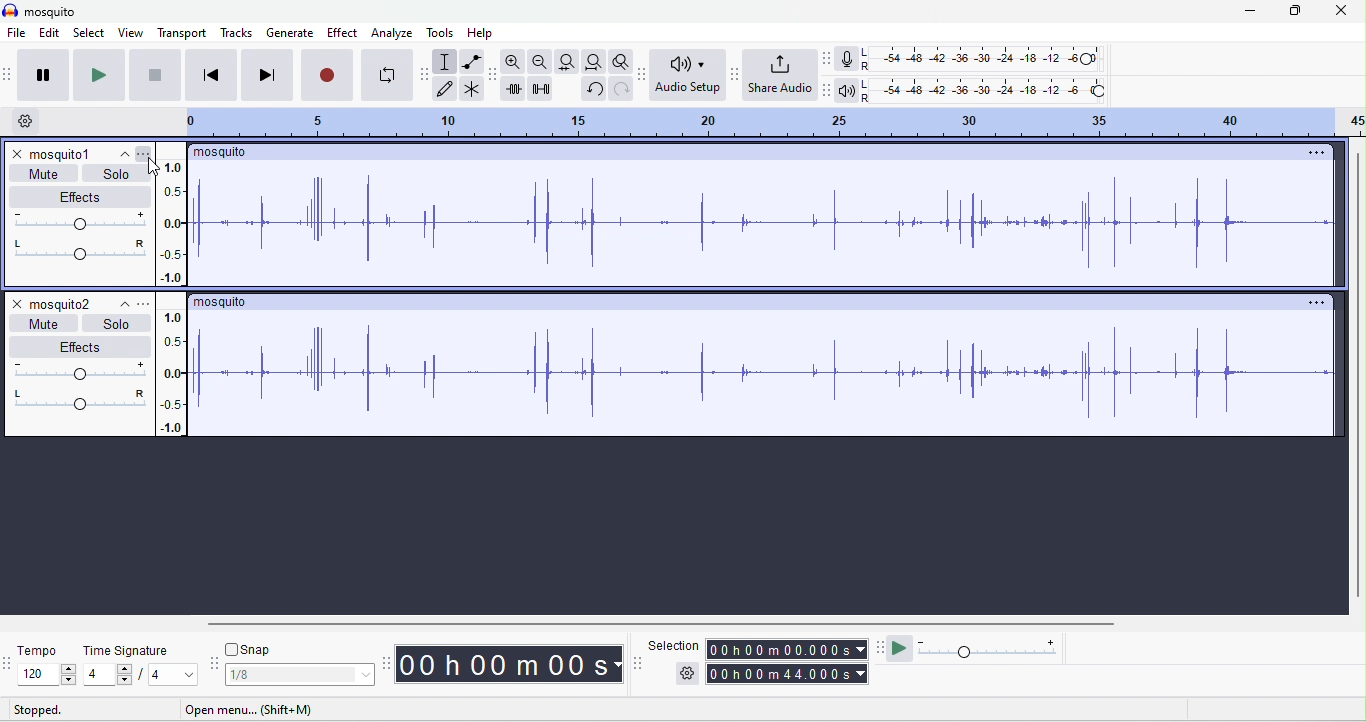  What do you see at coordinates (1356, 377) in the screenshot?
I see `vertical scroll bar` at bounding box center [1356, 377].